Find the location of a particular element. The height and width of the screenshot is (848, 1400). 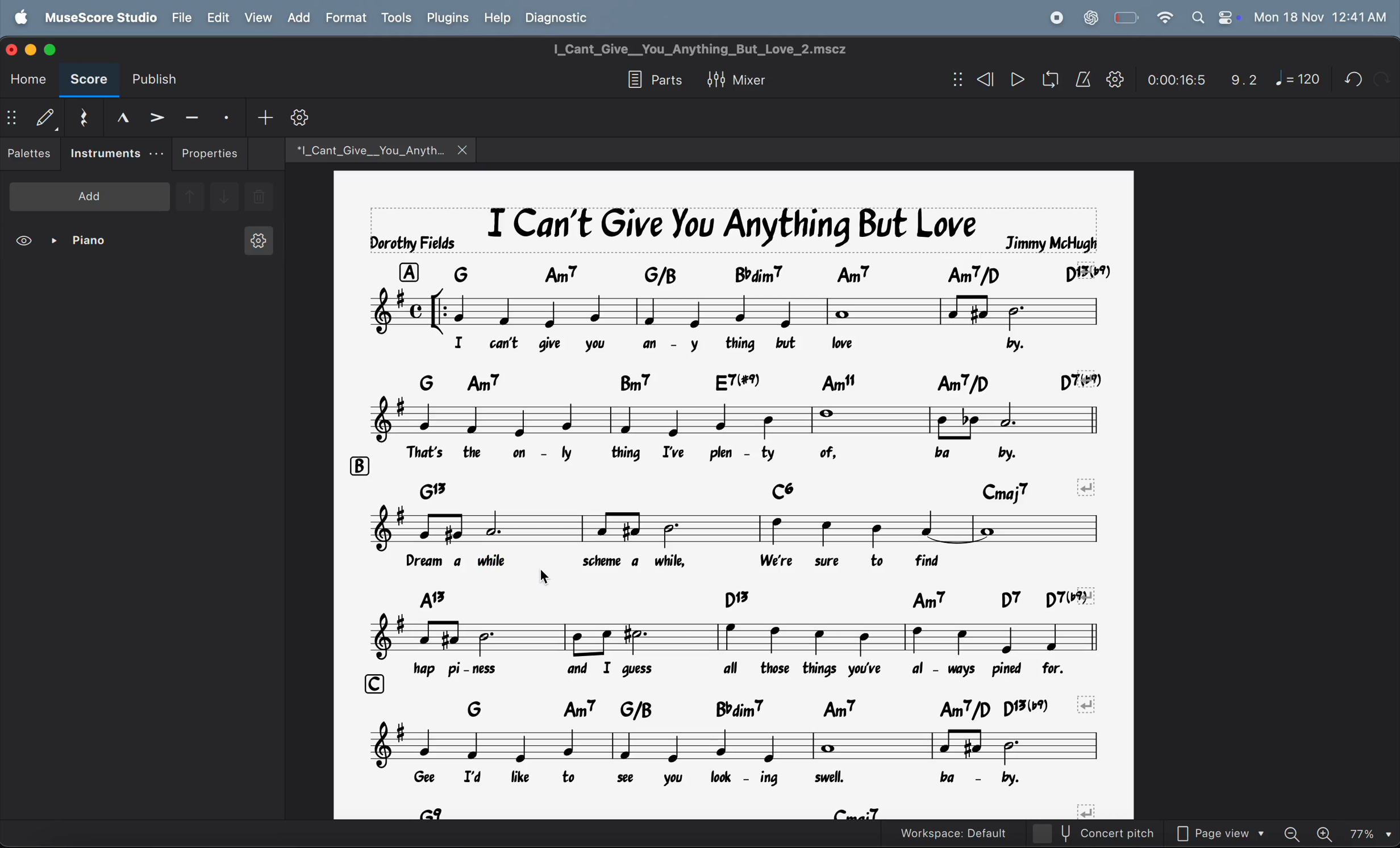

accent is located at coordinates (153, 114).